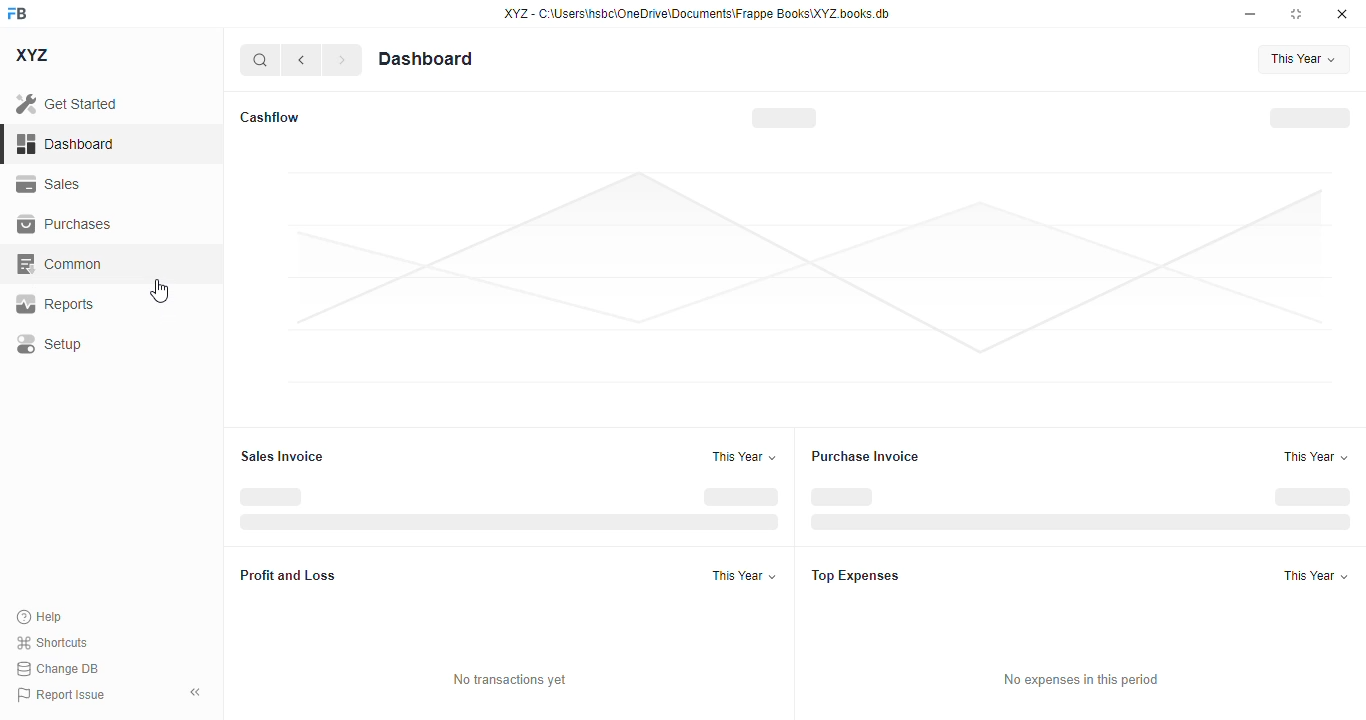  What do you see at coordinates (1317, 456) in the screenshot?
I see `this year` at bounding box center [1317, 456].